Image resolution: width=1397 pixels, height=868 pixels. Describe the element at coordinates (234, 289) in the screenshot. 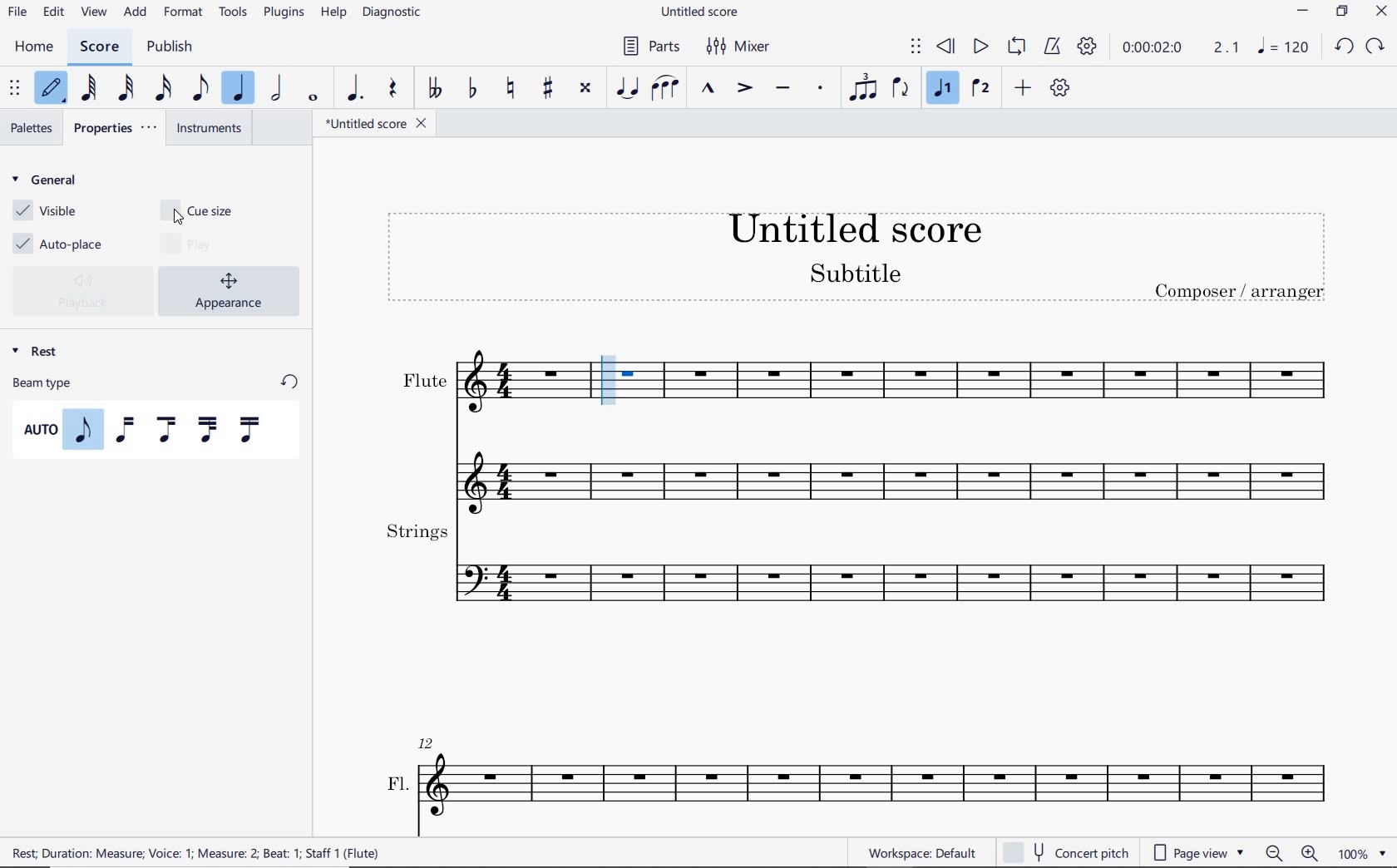

I see `APPEARANCE` at that location.